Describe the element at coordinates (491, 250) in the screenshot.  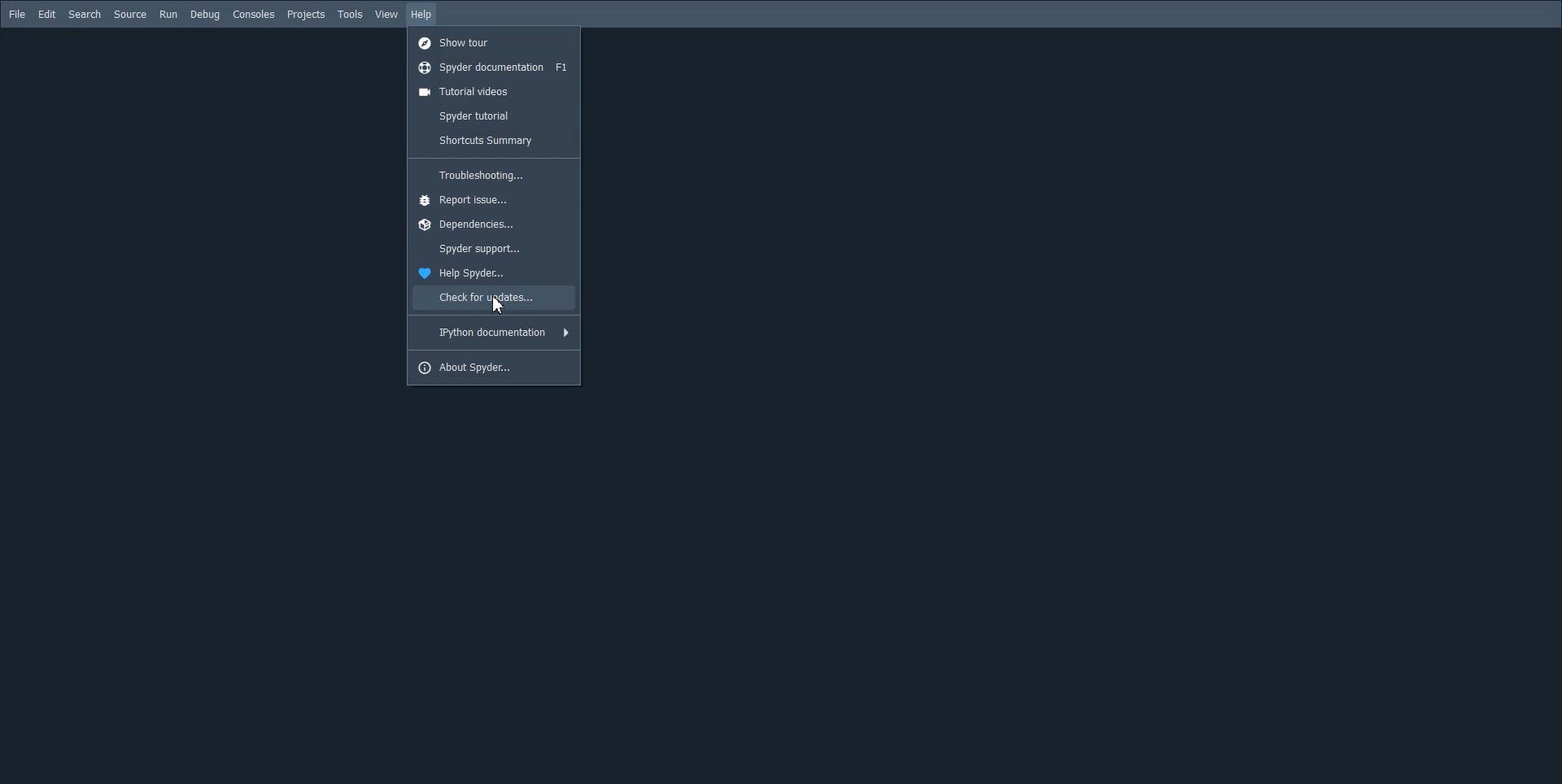
I see `Spyder support` at that location.